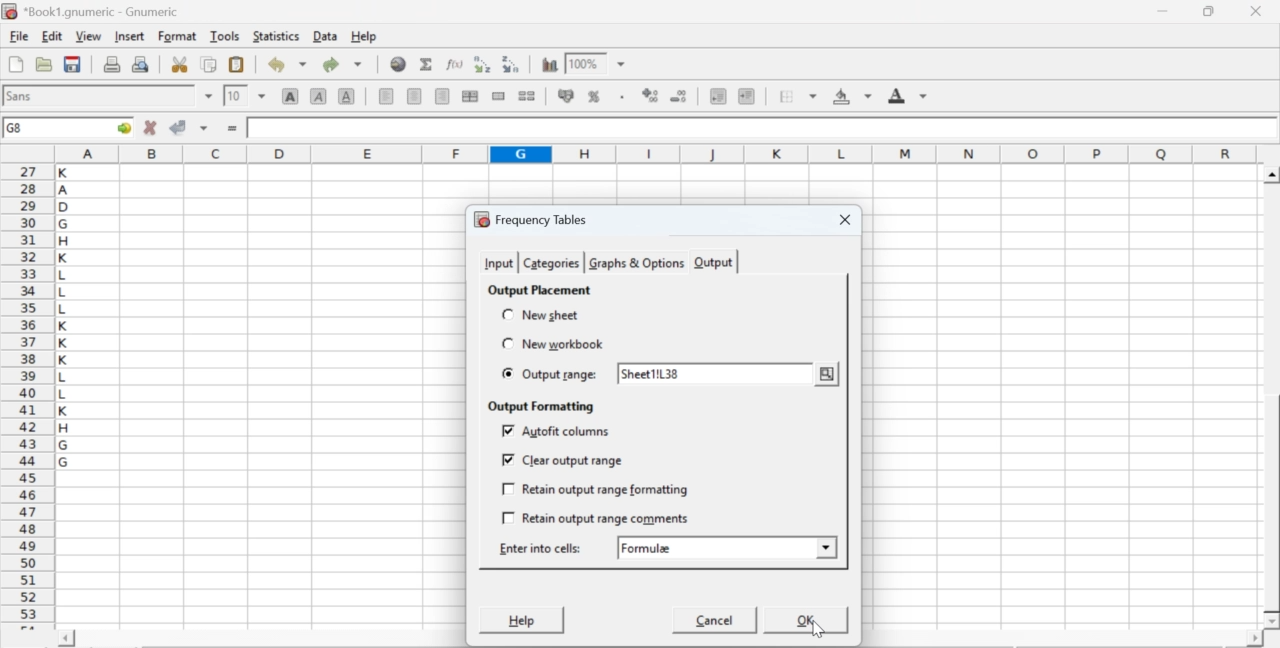  Describe the element at coordinates (327, 35) in the screenshot. I see `data` at that location.